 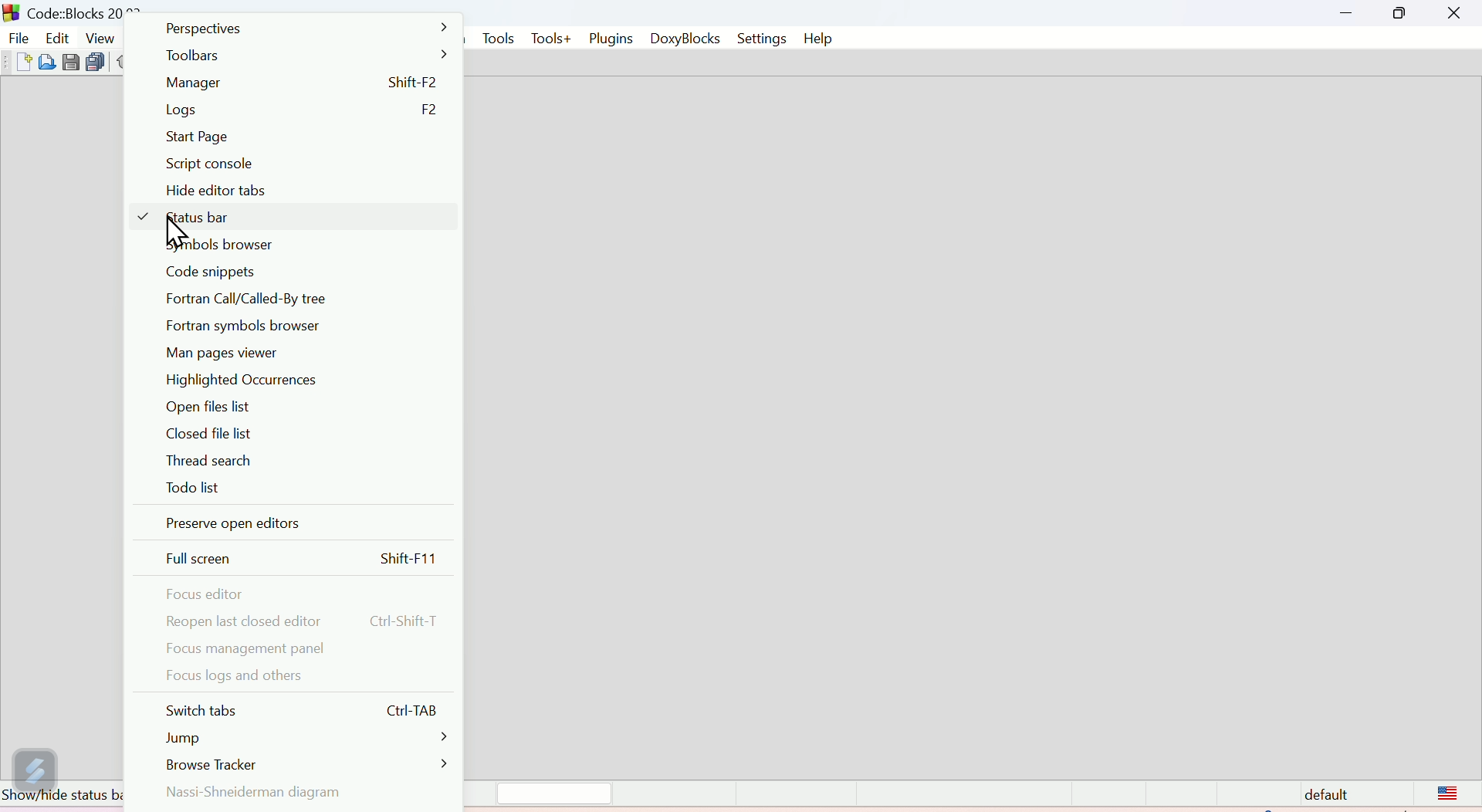 I want to click on Browse tracker, so click(x=310, y=760).